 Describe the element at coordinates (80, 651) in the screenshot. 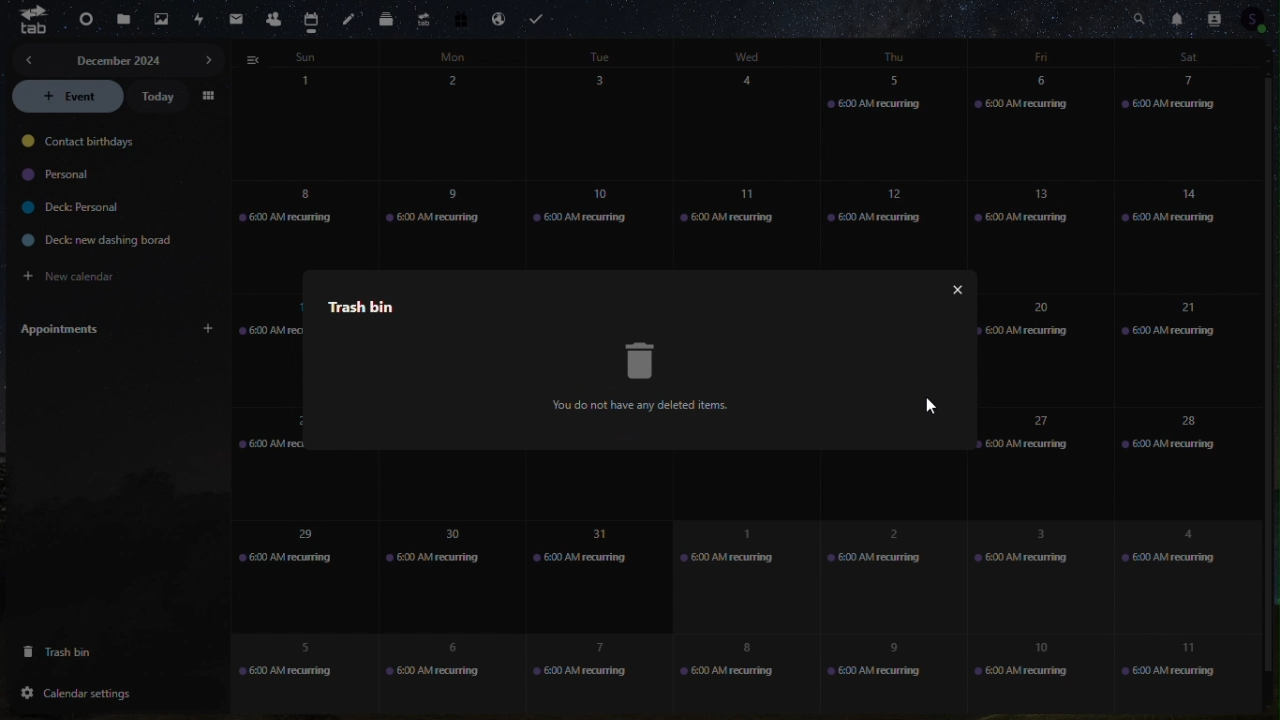

I see `trash bin` at that location.